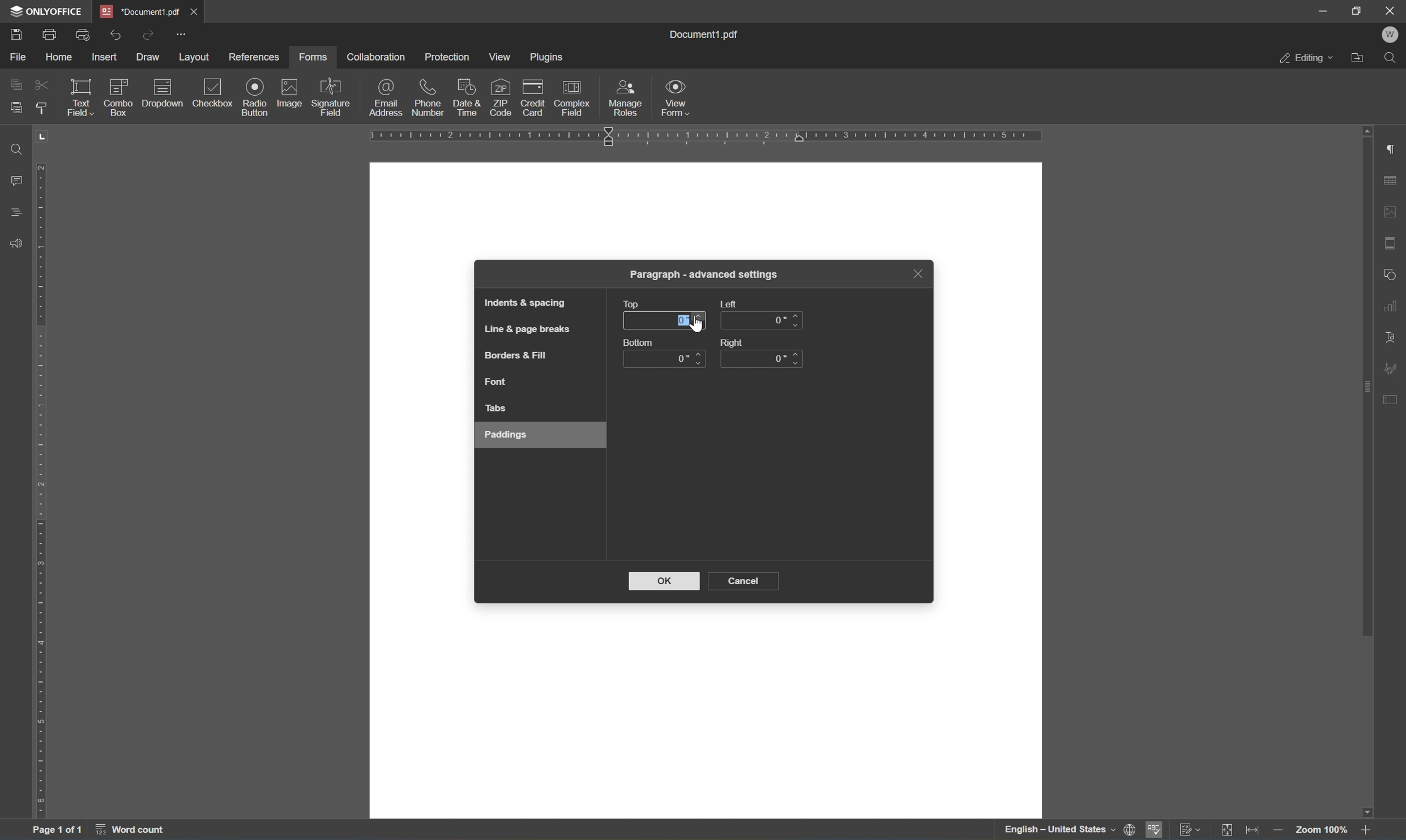 This screenshot has width=1406, height=840. Describe the element at coordinates (1066, 830) in the screenshot. I see `set document language` at that location.